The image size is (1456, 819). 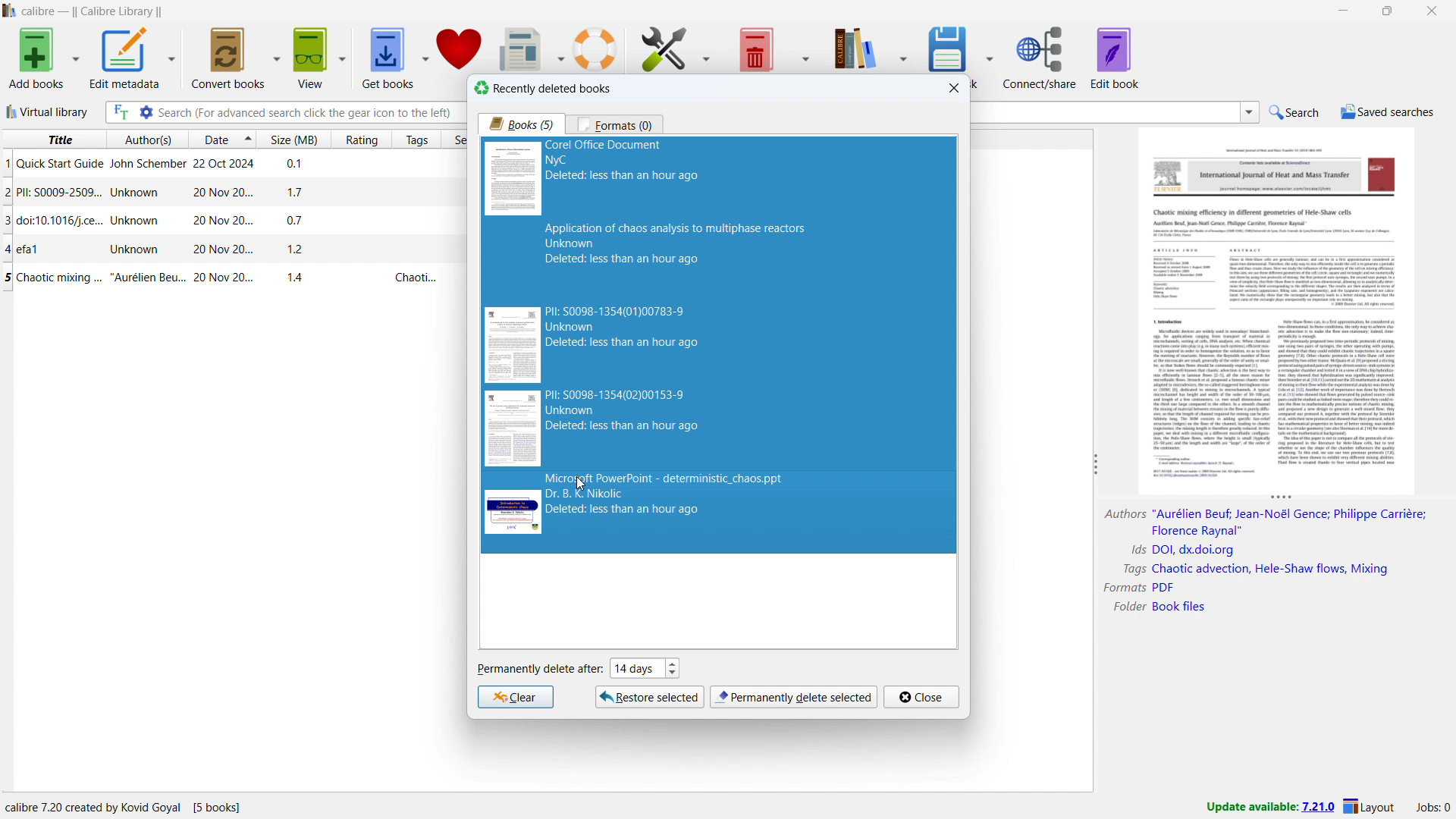 What do you see at coordinates (227, 193) in the screenshot?
I see `single book entry` at bounding box center [227, 193].